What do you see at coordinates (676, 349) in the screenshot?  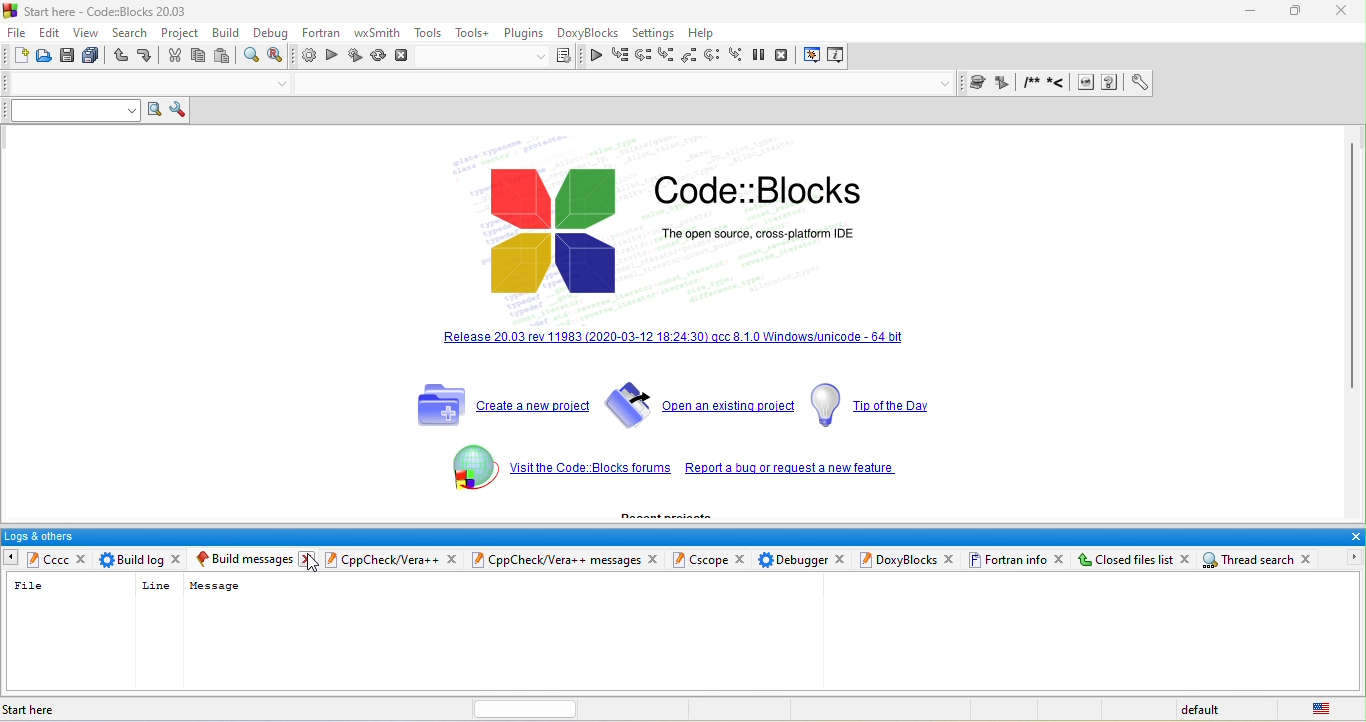 I see `release 20.03rev [2020-03-12 18.24.30]qcc 8.10window unicode 64 bit` at bounding box center [676, 349].